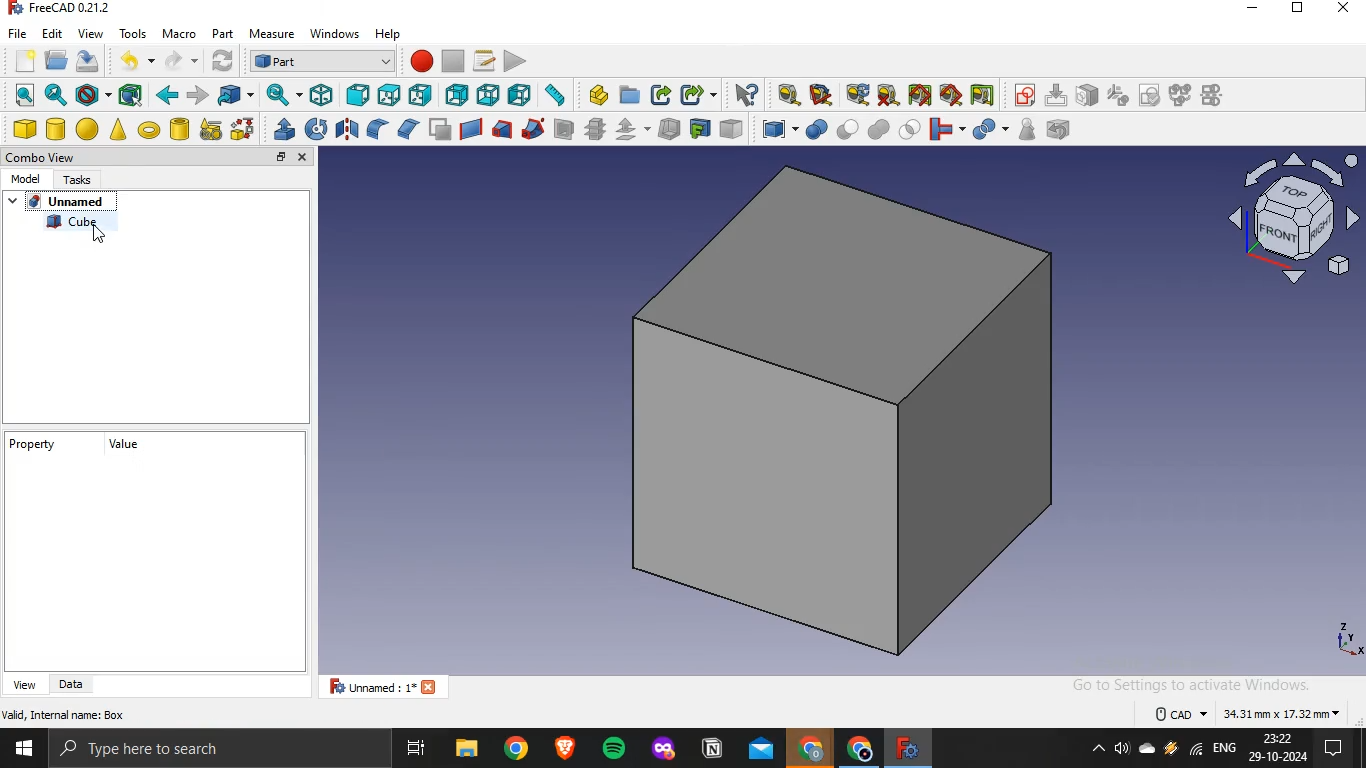  I want to click on front, so click(357, 95).